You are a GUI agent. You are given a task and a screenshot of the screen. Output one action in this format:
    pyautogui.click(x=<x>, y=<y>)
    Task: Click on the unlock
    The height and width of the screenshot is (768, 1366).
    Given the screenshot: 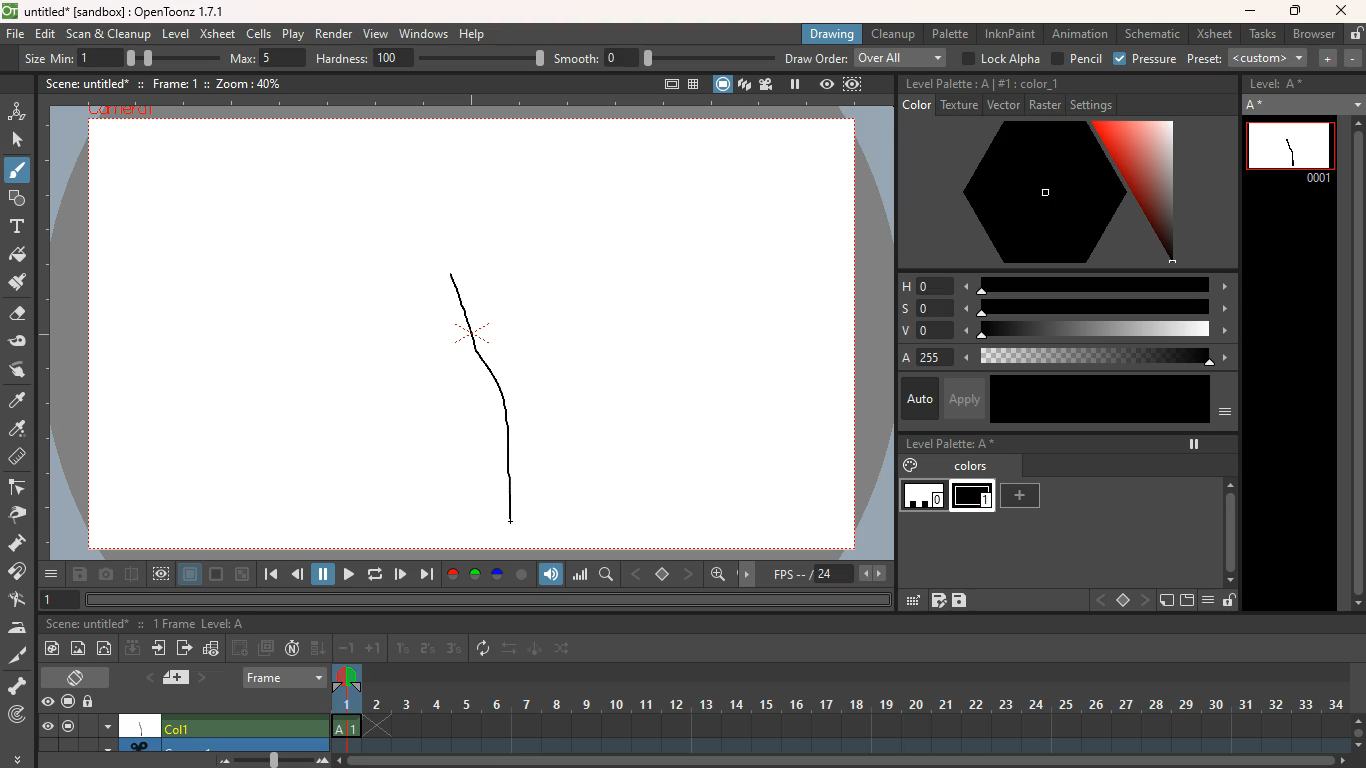 What is the action you would take?
    pyautogui.click(x=92, y=701)
    